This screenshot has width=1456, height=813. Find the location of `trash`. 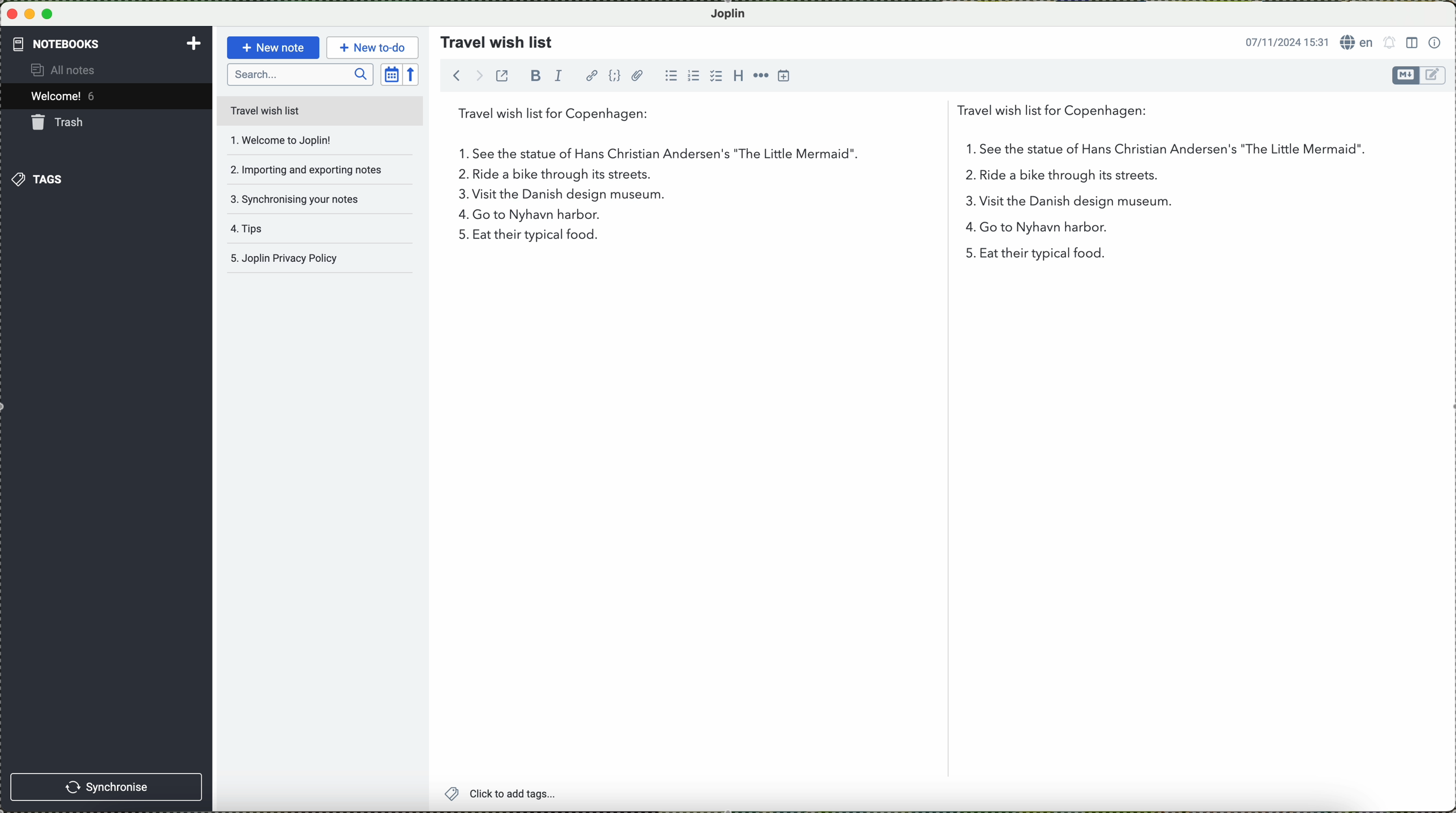

trash is located at coordinates (60, 122).